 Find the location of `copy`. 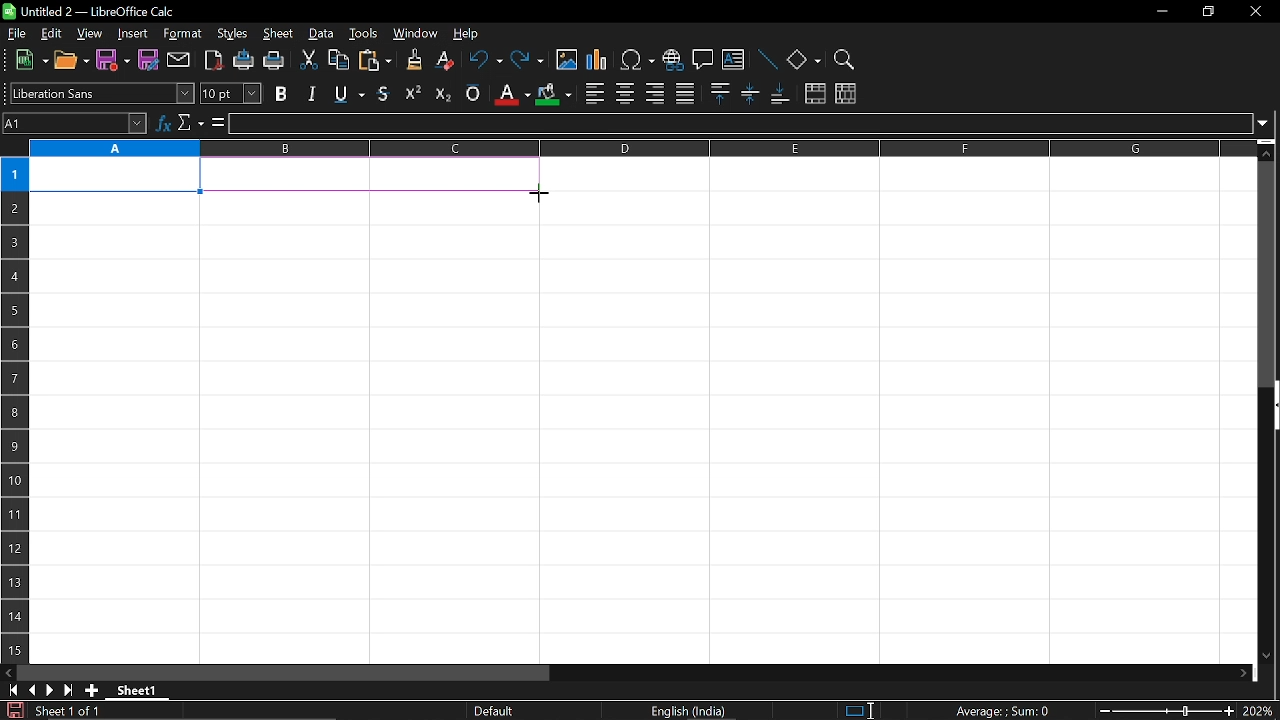

copy is located at coordinates (339, 60).